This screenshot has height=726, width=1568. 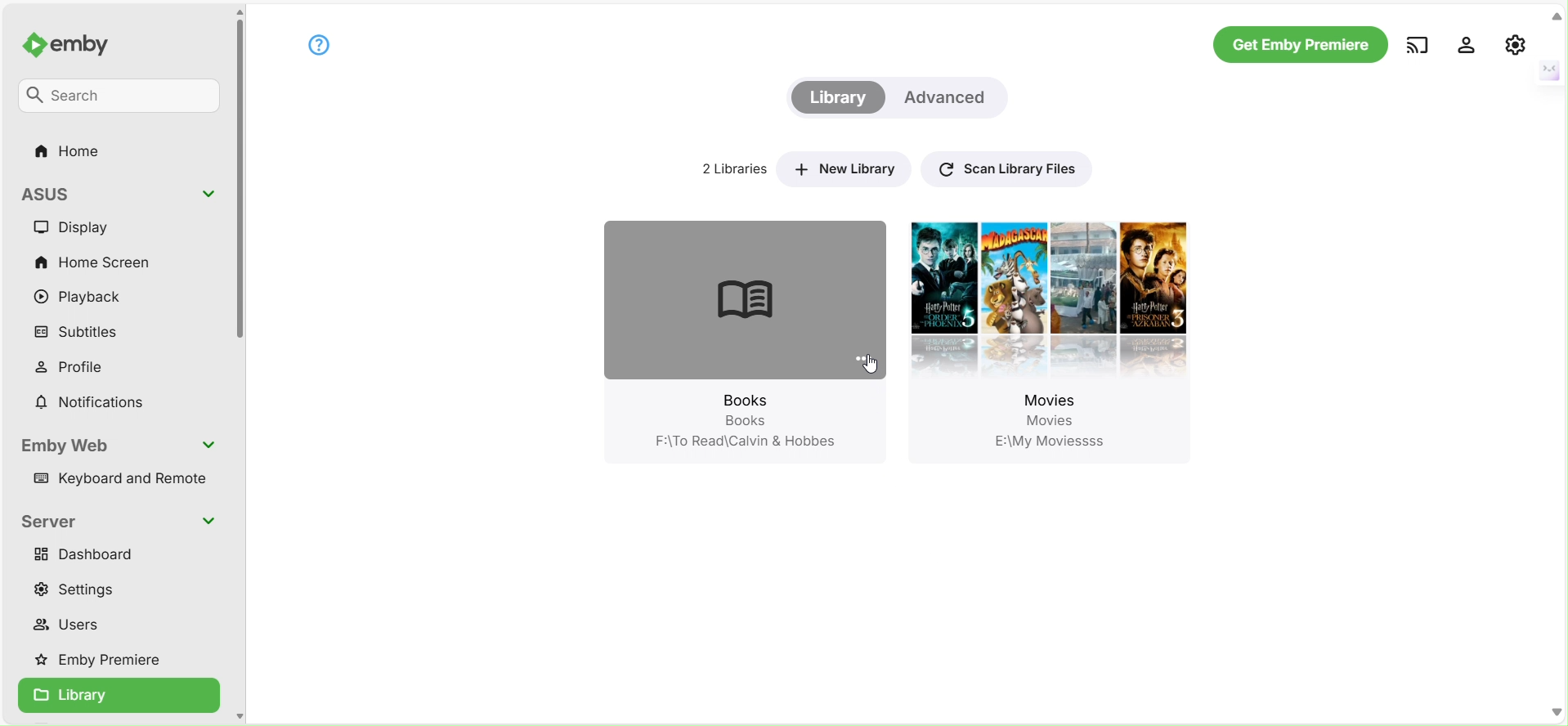 What do you see at coordinates (239, 12) in the screenshot?
I see `move up` at bounding box center [239, 12].